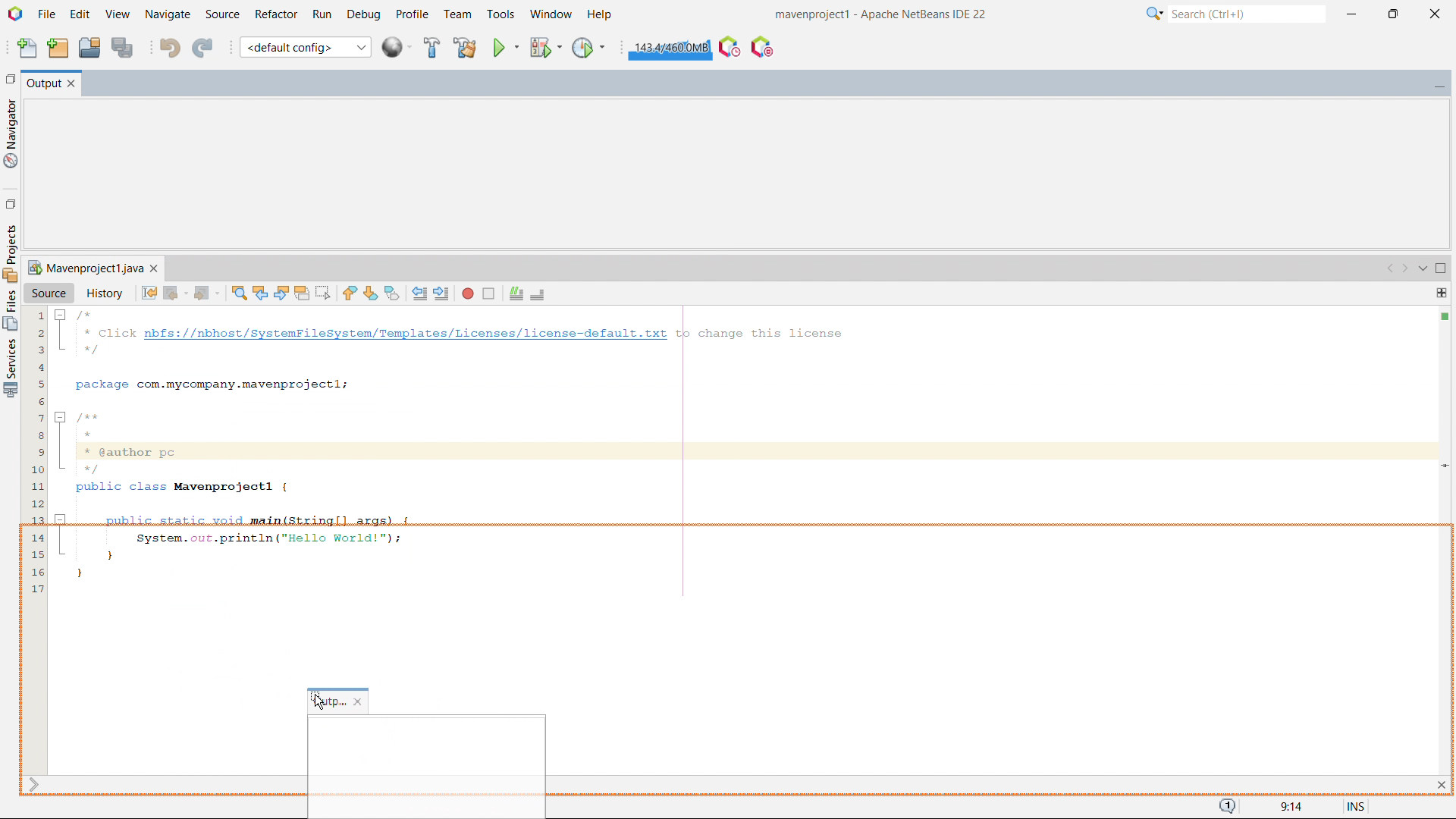 The image size is (1456, 819). Describe the element at coordinates (396, 48) in the screenshot. I see `` at that location.